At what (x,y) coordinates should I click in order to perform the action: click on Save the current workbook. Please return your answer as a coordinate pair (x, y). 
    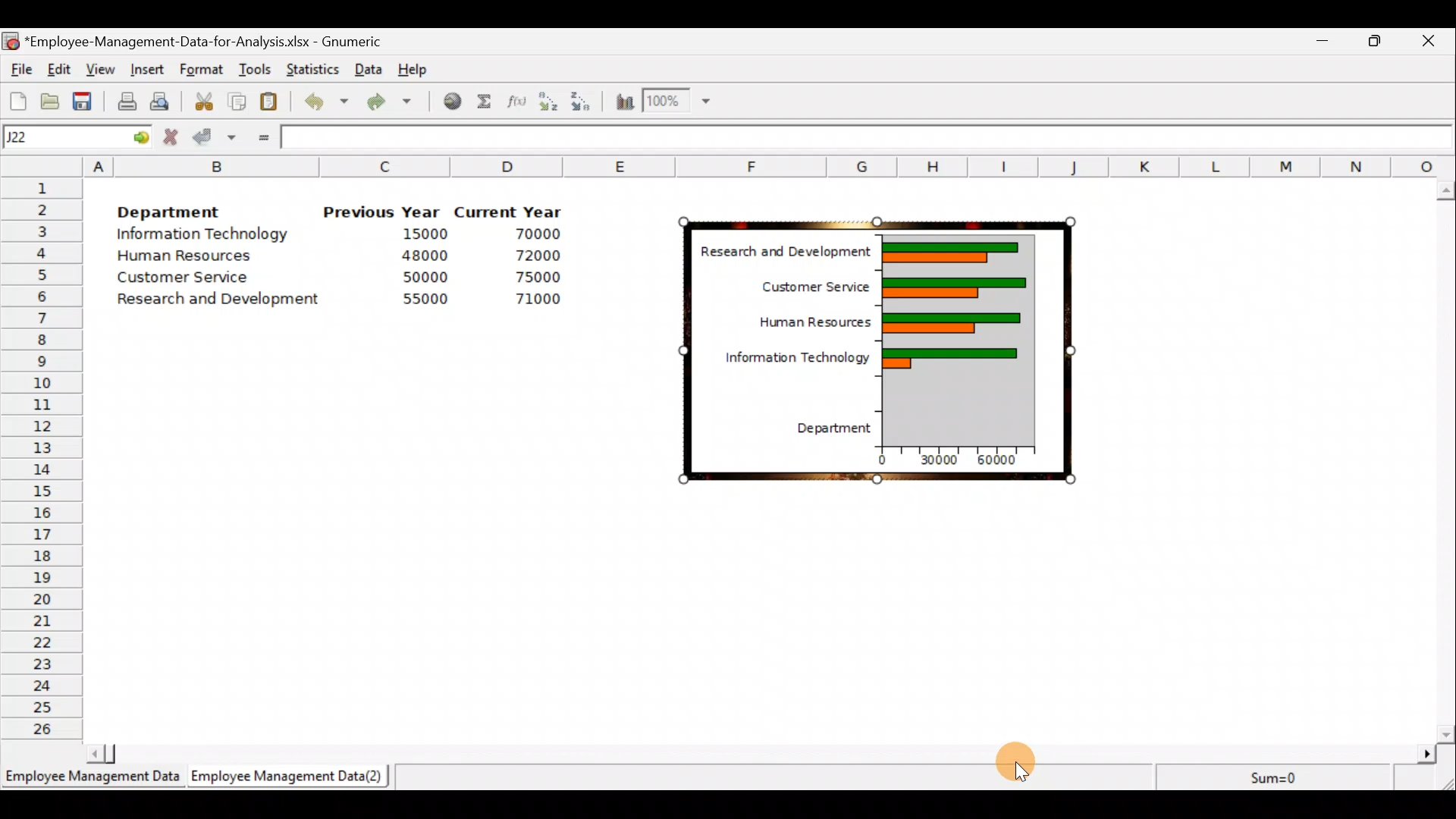
    Looking at the image, I should click on (83, 99).